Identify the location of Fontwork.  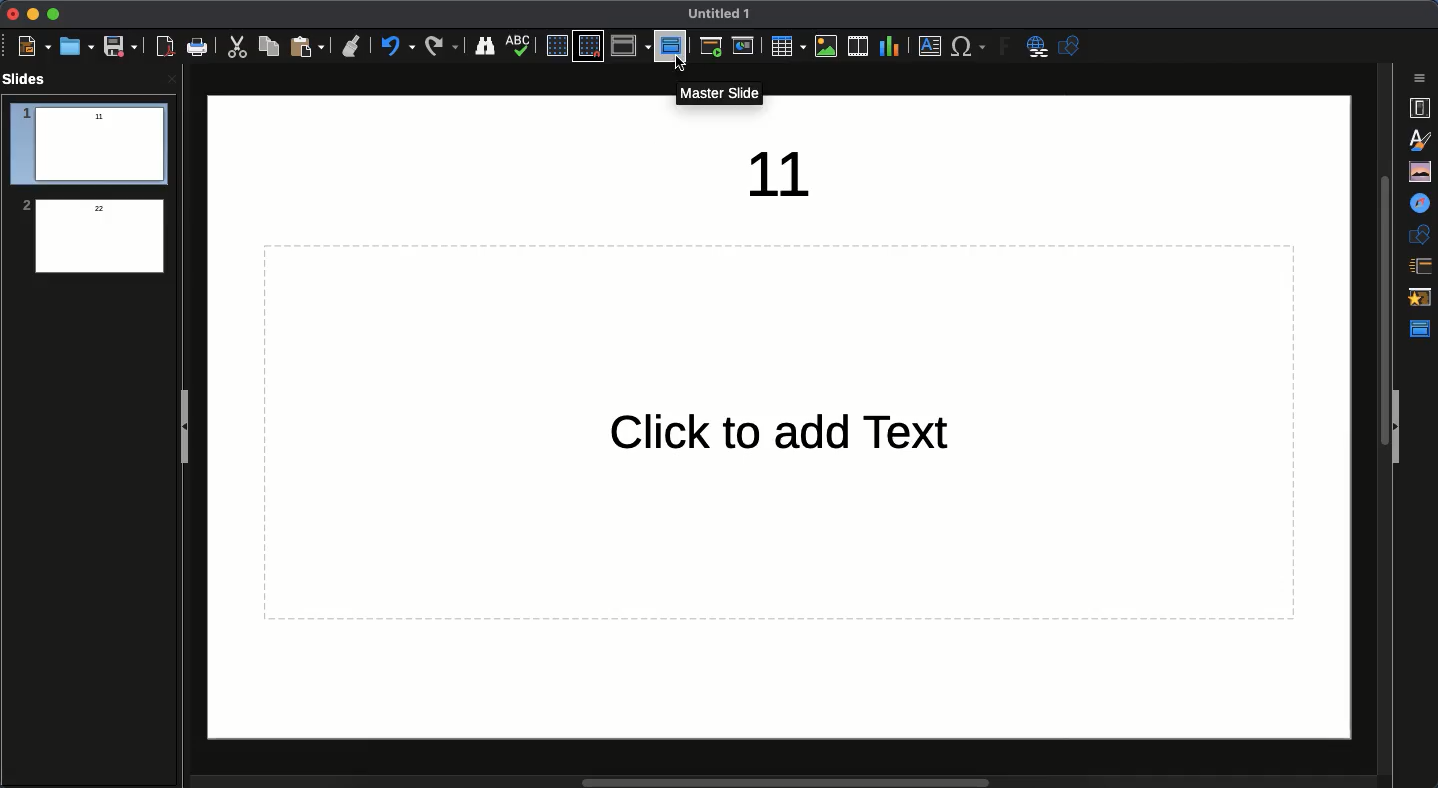
(1006, 49).